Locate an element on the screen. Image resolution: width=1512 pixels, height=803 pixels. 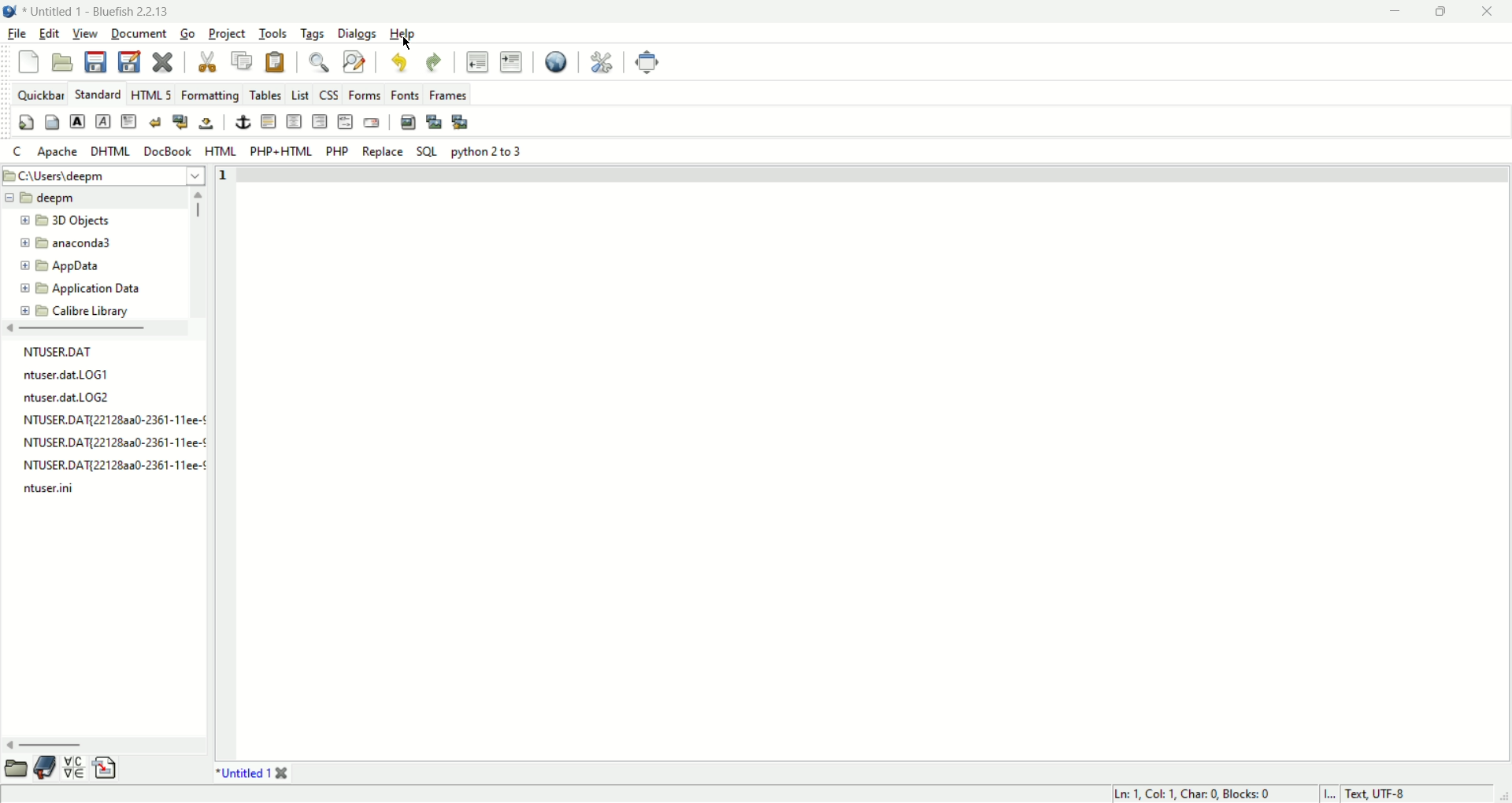
body is located at coordinates (54, 123).